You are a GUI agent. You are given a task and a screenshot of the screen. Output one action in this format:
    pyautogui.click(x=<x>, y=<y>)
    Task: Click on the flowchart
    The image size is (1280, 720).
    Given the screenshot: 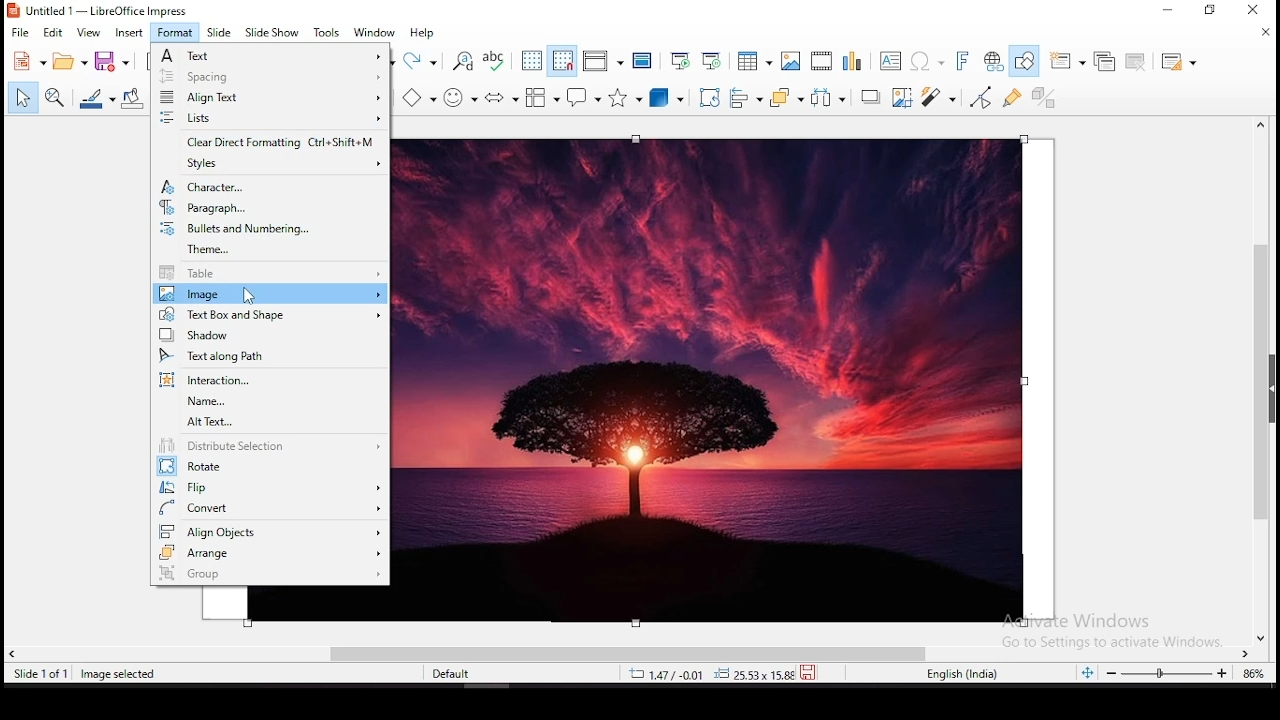 What is the action you would take?
    pyautogui.click(x=541, y=97)
    